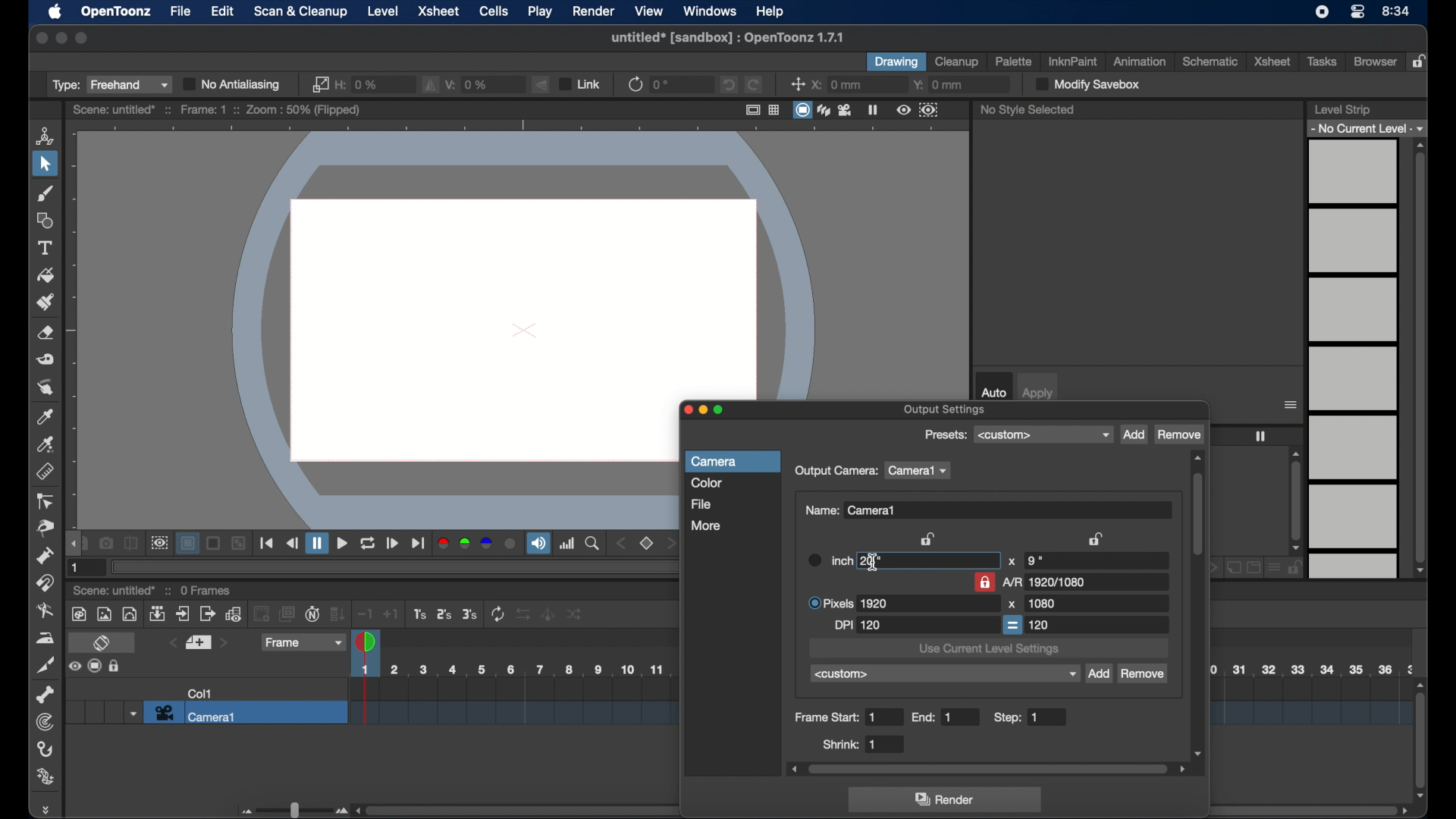 The width and height of the screenshot is (1456, 819). I want to click on set, so click(648, 544).